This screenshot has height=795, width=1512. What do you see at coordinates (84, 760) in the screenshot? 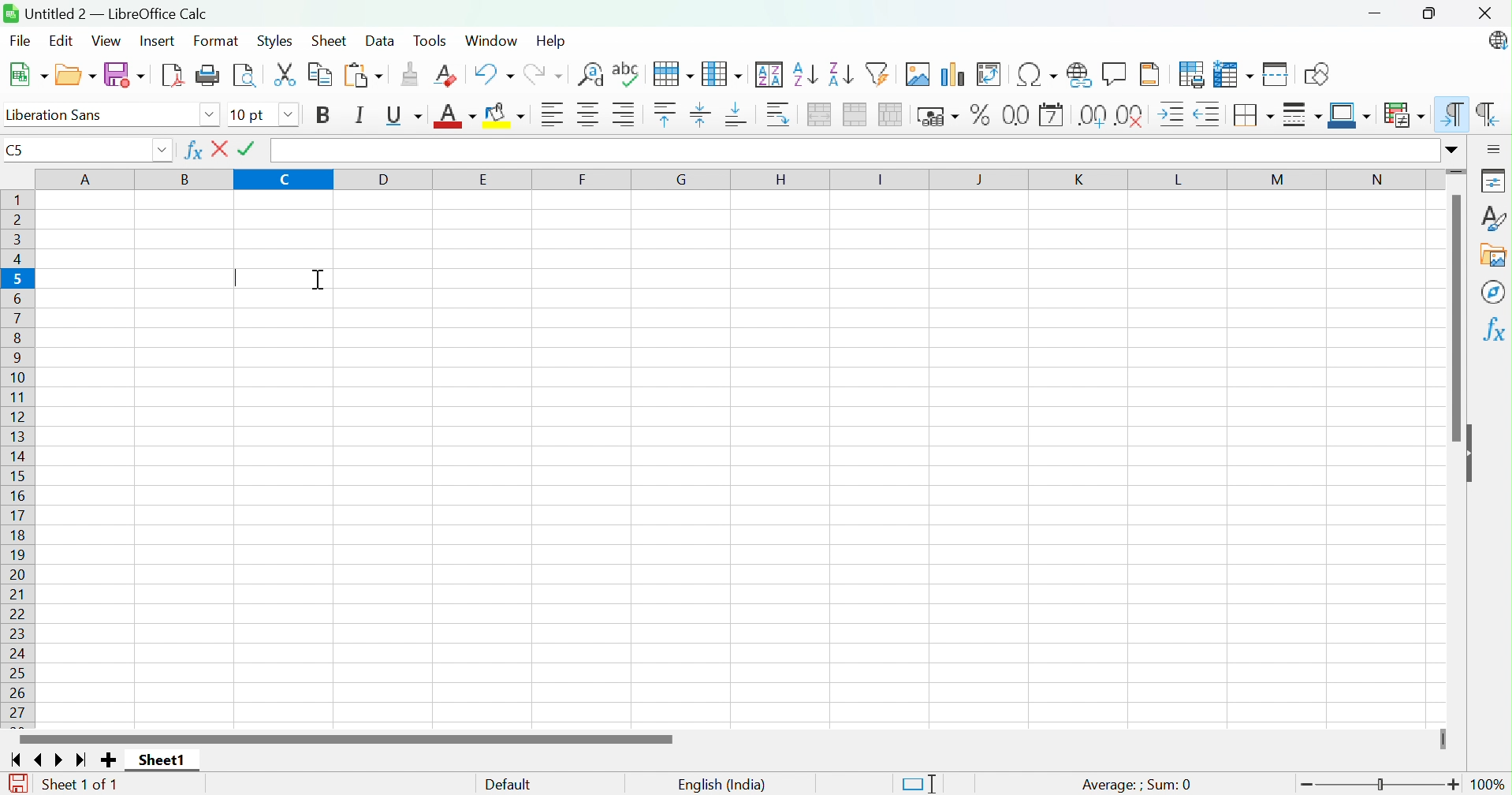
I see `Scroll to last sheet` at bounding box center [84, 760].